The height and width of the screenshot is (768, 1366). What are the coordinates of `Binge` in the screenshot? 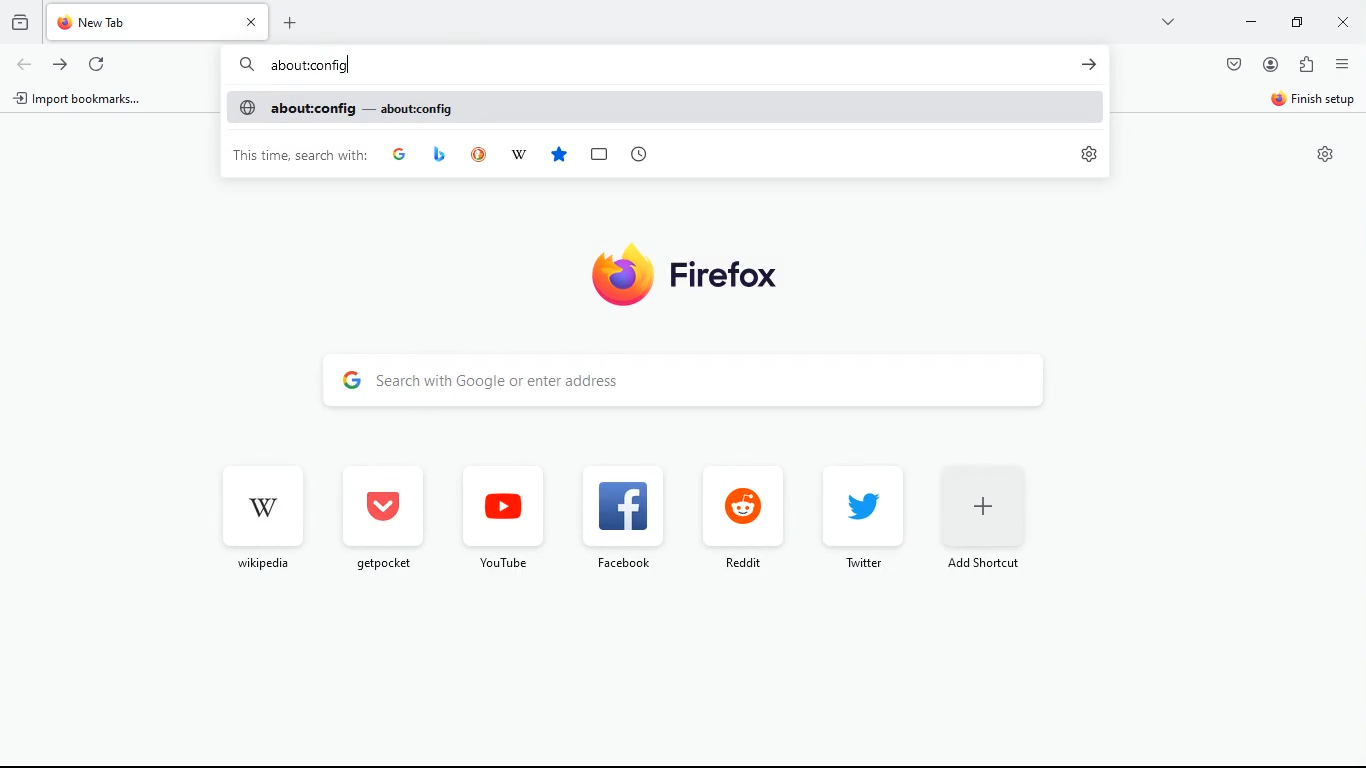 It's located at (440, 154).